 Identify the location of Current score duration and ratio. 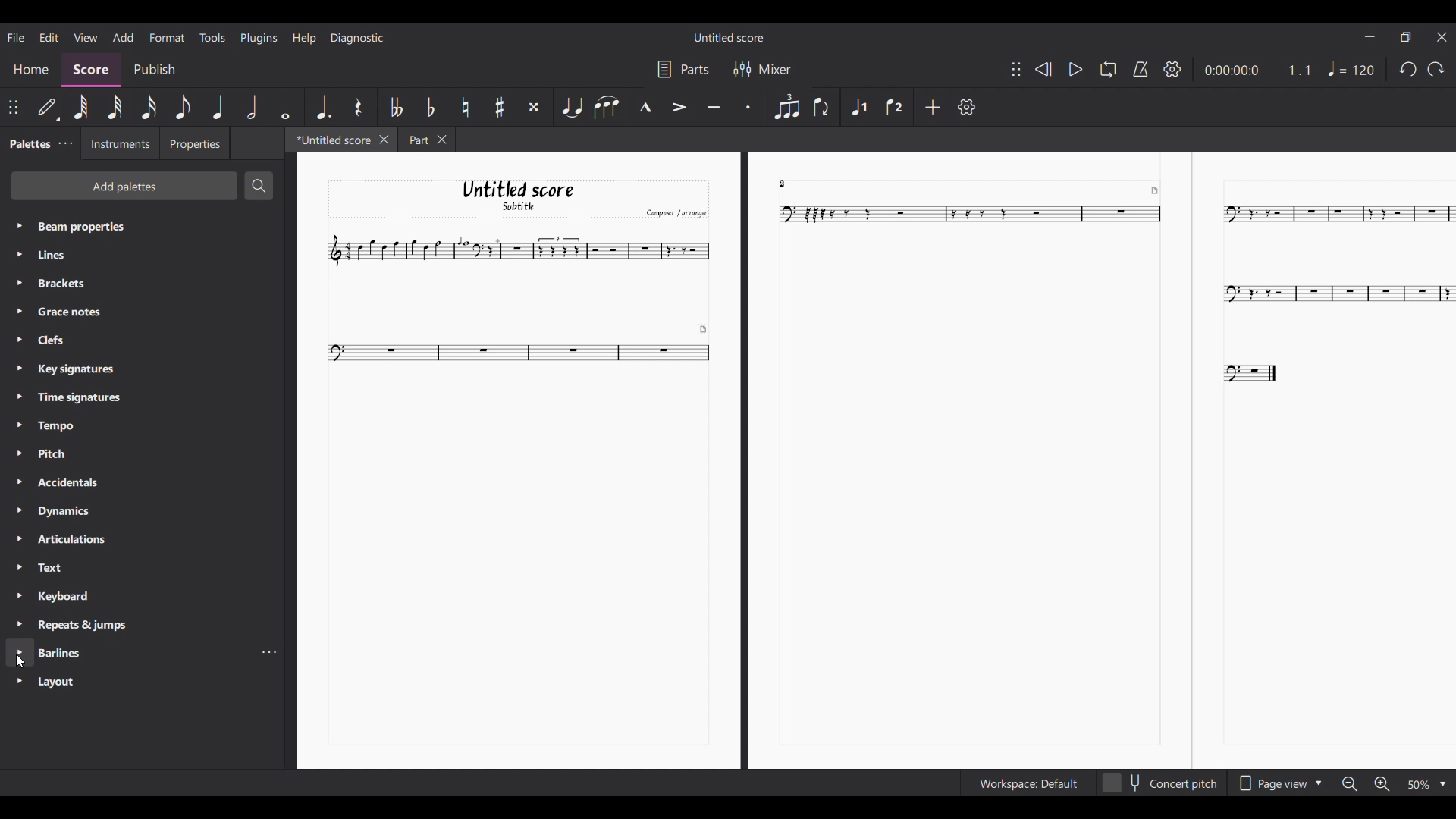
(1257, 70).